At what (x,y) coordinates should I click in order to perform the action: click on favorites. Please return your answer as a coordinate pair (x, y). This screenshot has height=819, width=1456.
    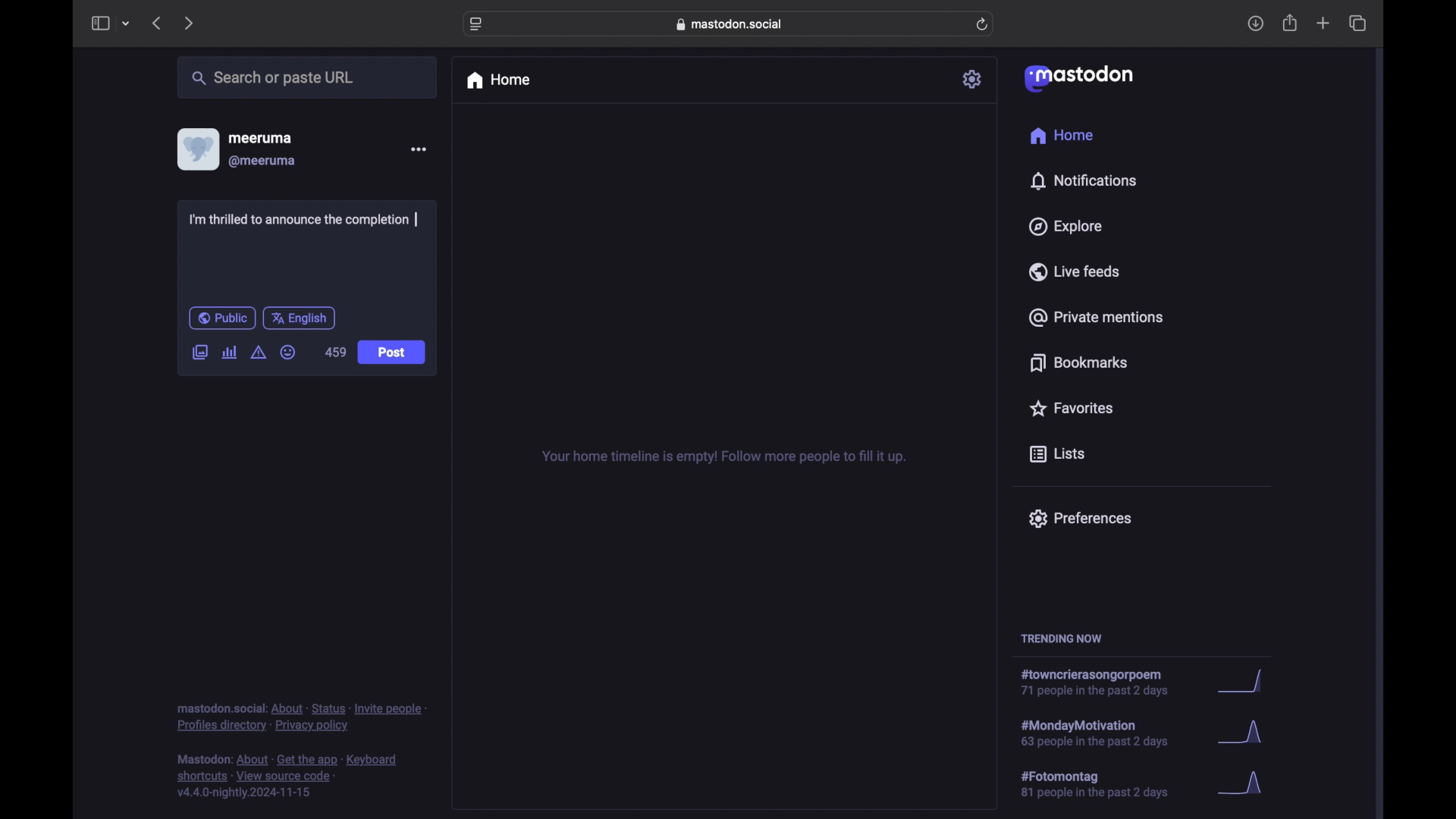
    Looking at the image, I should click on (1071, 408).